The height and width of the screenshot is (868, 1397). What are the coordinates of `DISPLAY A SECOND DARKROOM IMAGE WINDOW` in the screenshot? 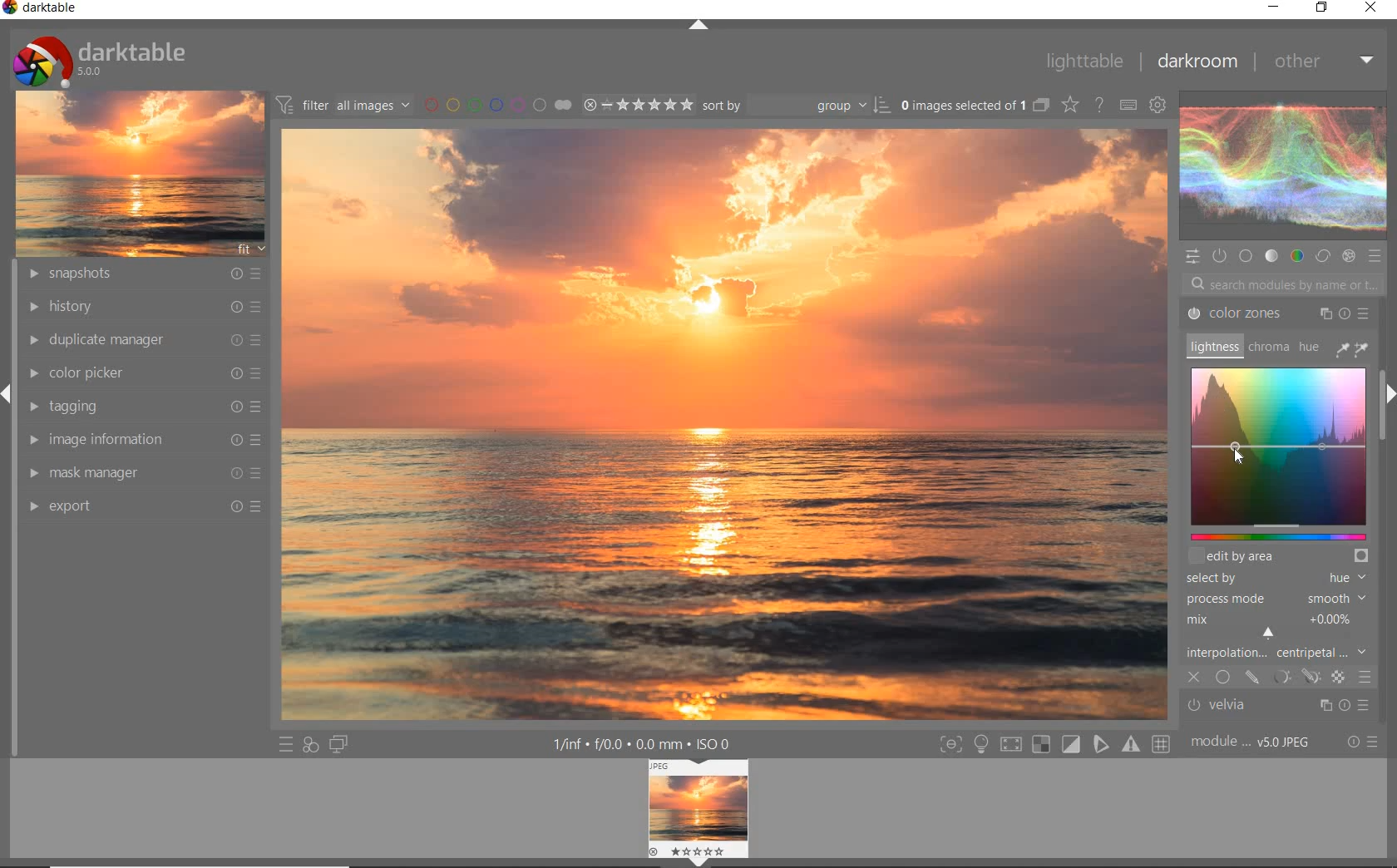 It's located at (338, 746).